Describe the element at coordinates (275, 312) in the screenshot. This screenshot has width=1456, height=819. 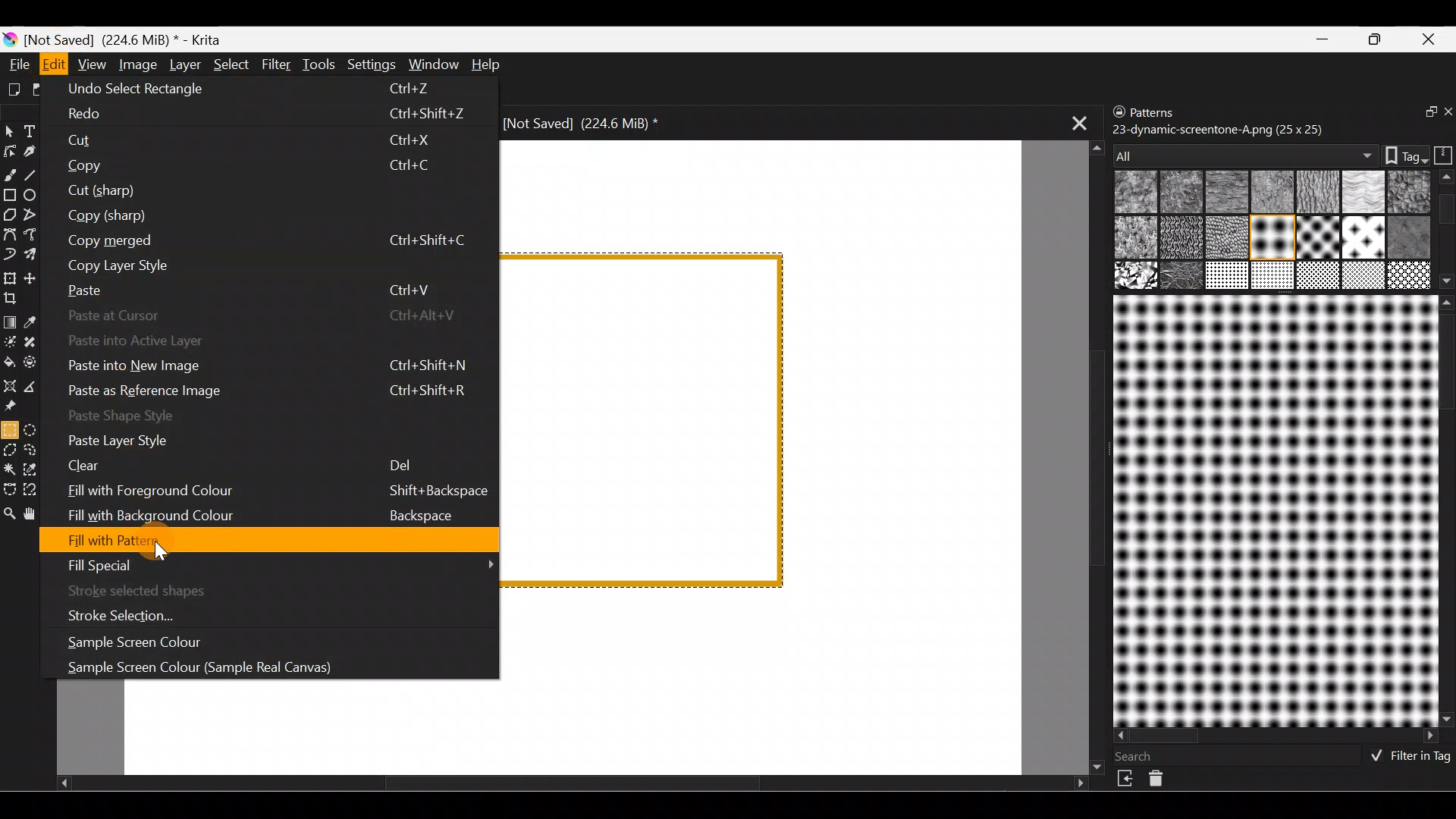
I see `Paste at cursor` at that location.